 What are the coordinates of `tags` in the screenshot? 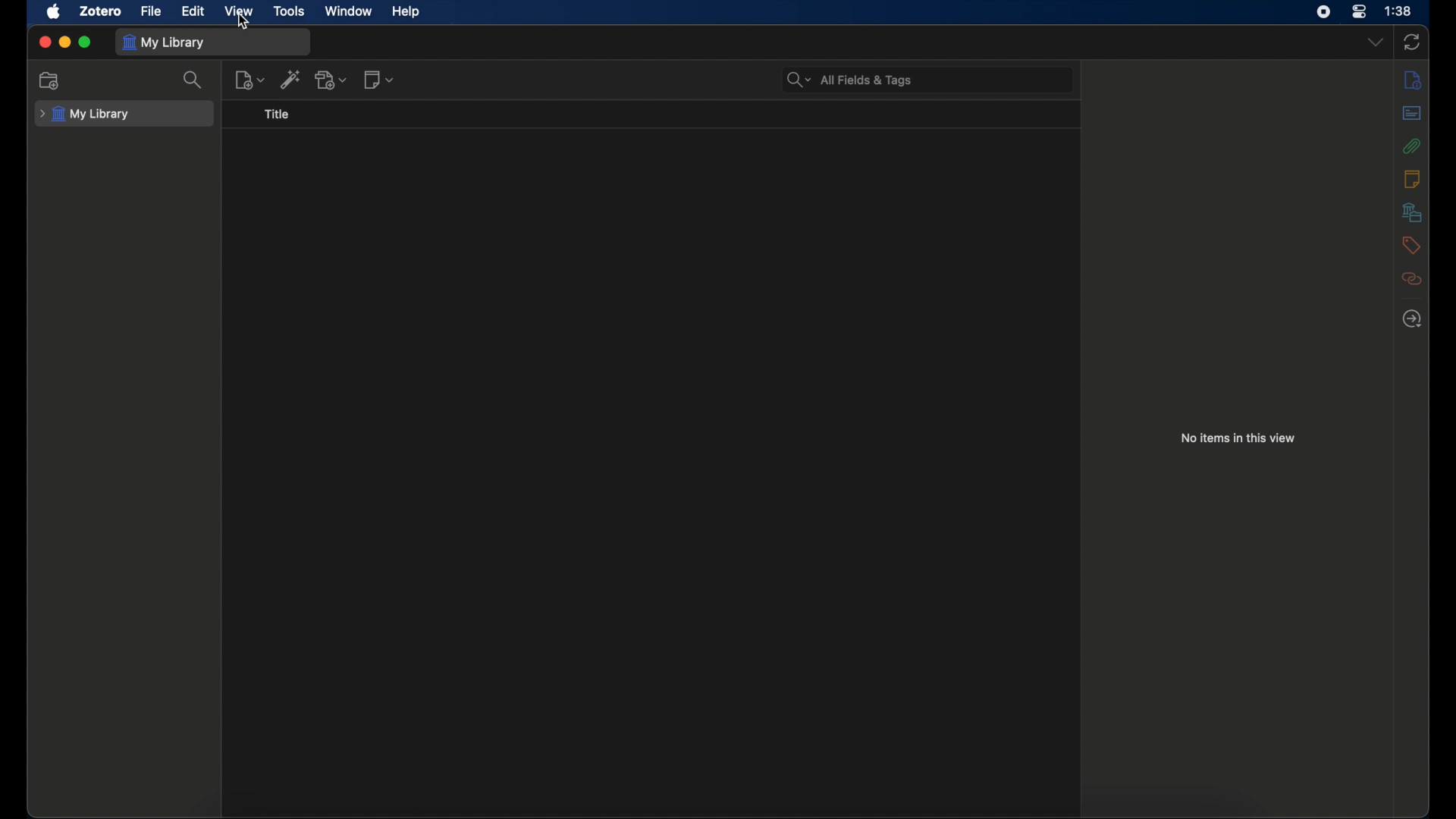 It's located at (1412, 245).